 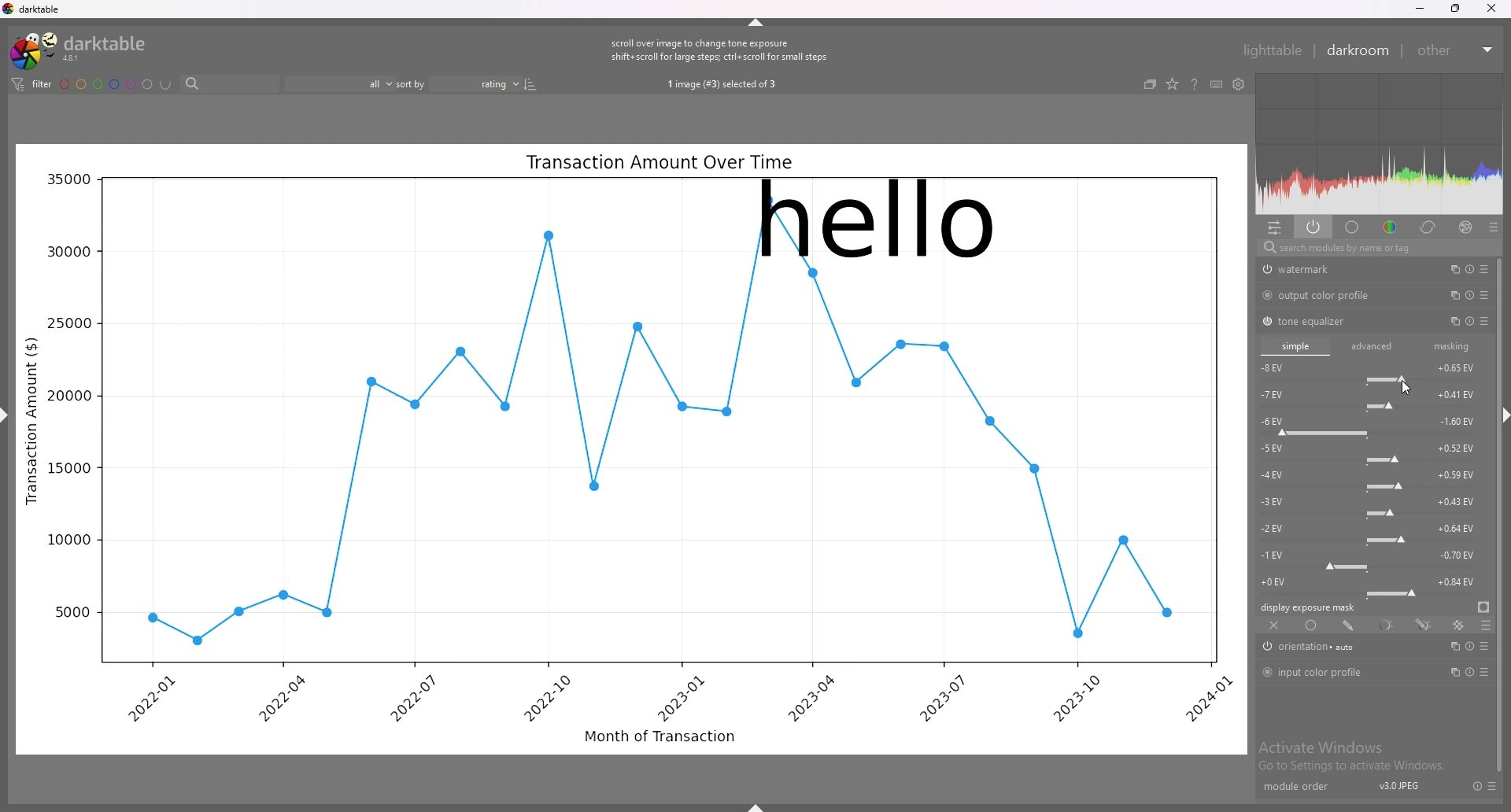 I want to click on -5 EV force, so click(x=1372, y=452).